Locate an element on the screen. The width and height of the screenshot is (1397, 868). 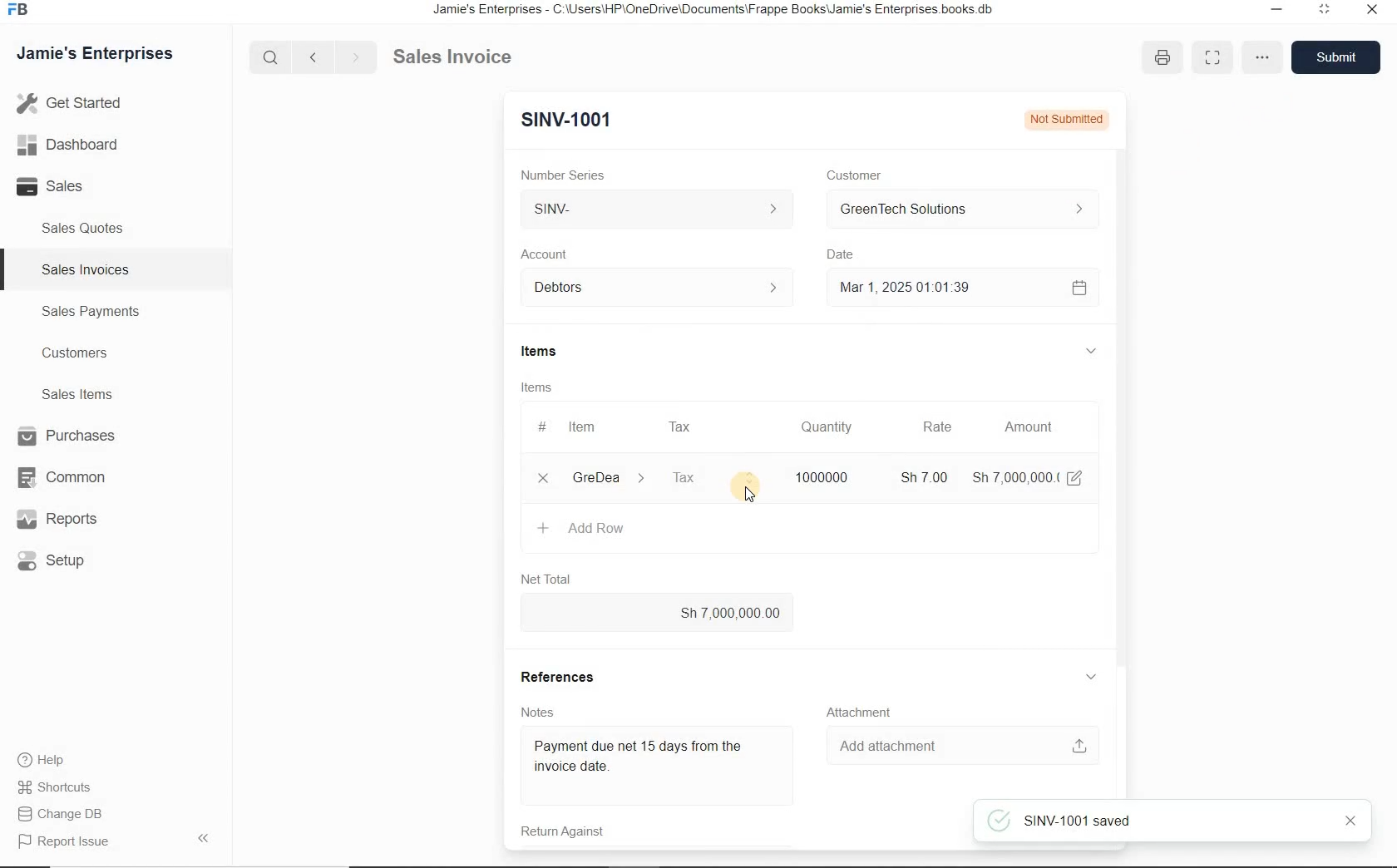
restore down is located at coordinates (1273, 11).